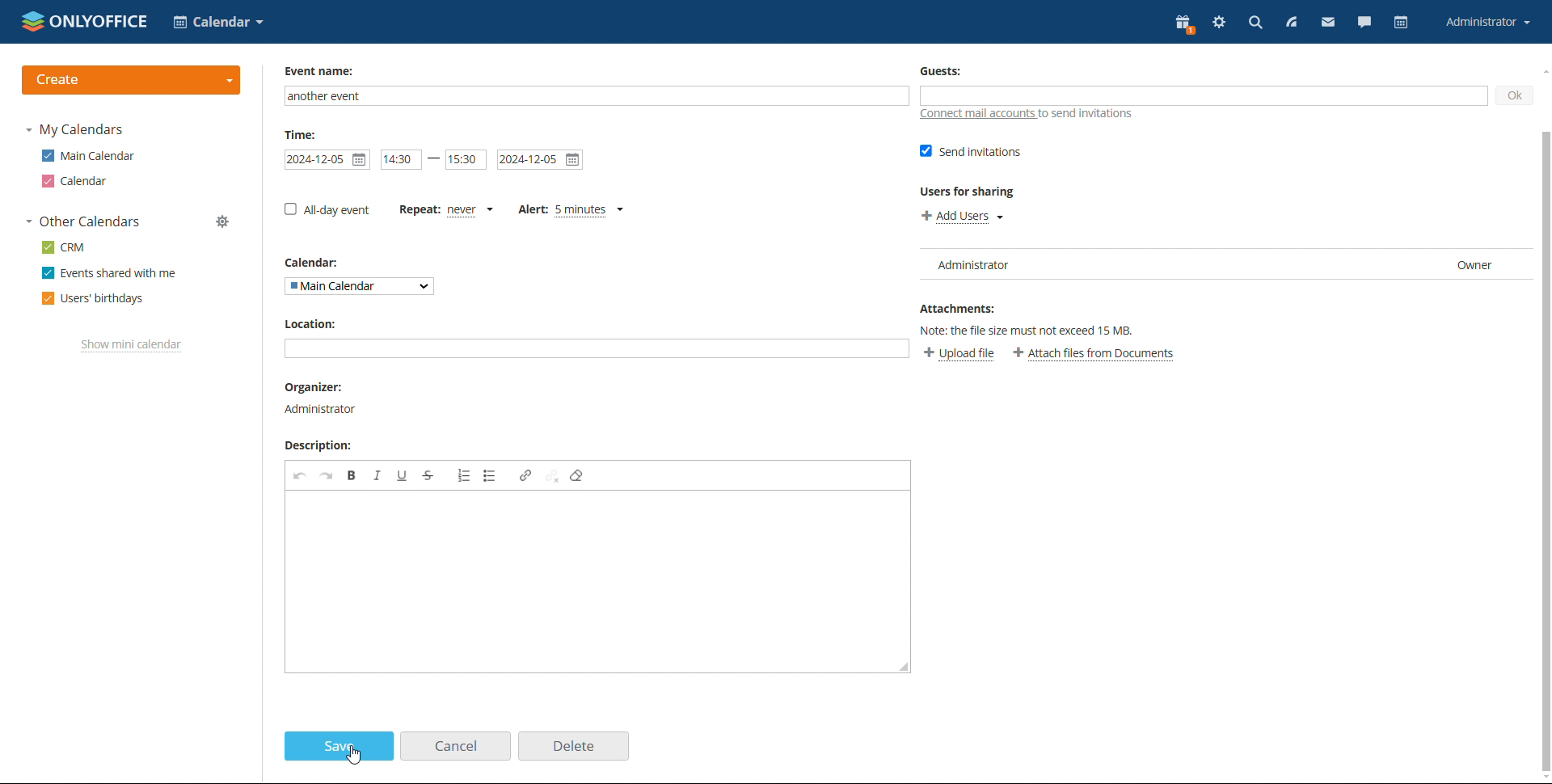  Describe the element at coordinates (963, 309) in the screenshot. I see `Attachments:` at that location.